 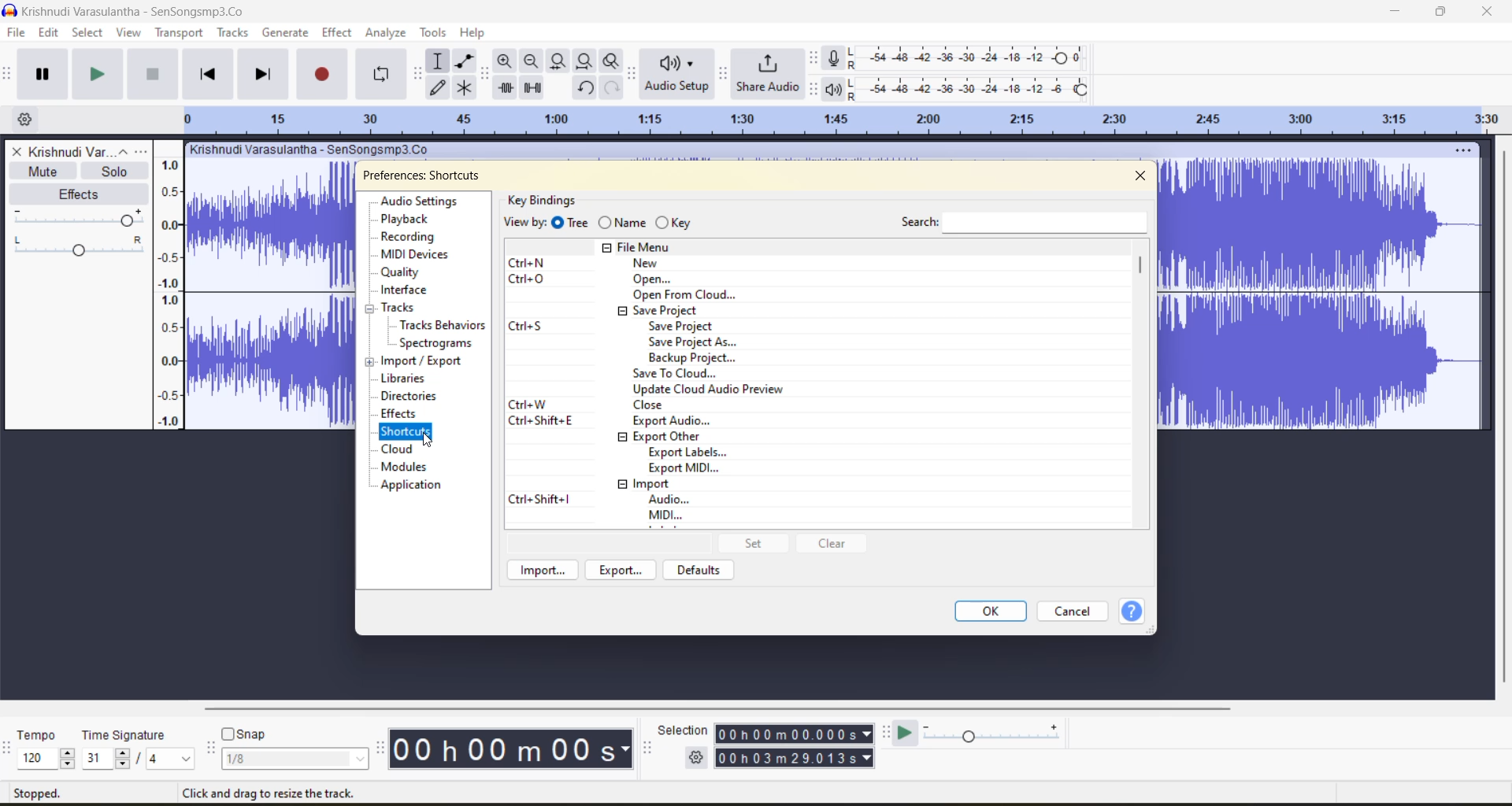 What do you see at coordinates (82, 254) in the screenshot?
I see `change pan` at bounding box center [82, 254].